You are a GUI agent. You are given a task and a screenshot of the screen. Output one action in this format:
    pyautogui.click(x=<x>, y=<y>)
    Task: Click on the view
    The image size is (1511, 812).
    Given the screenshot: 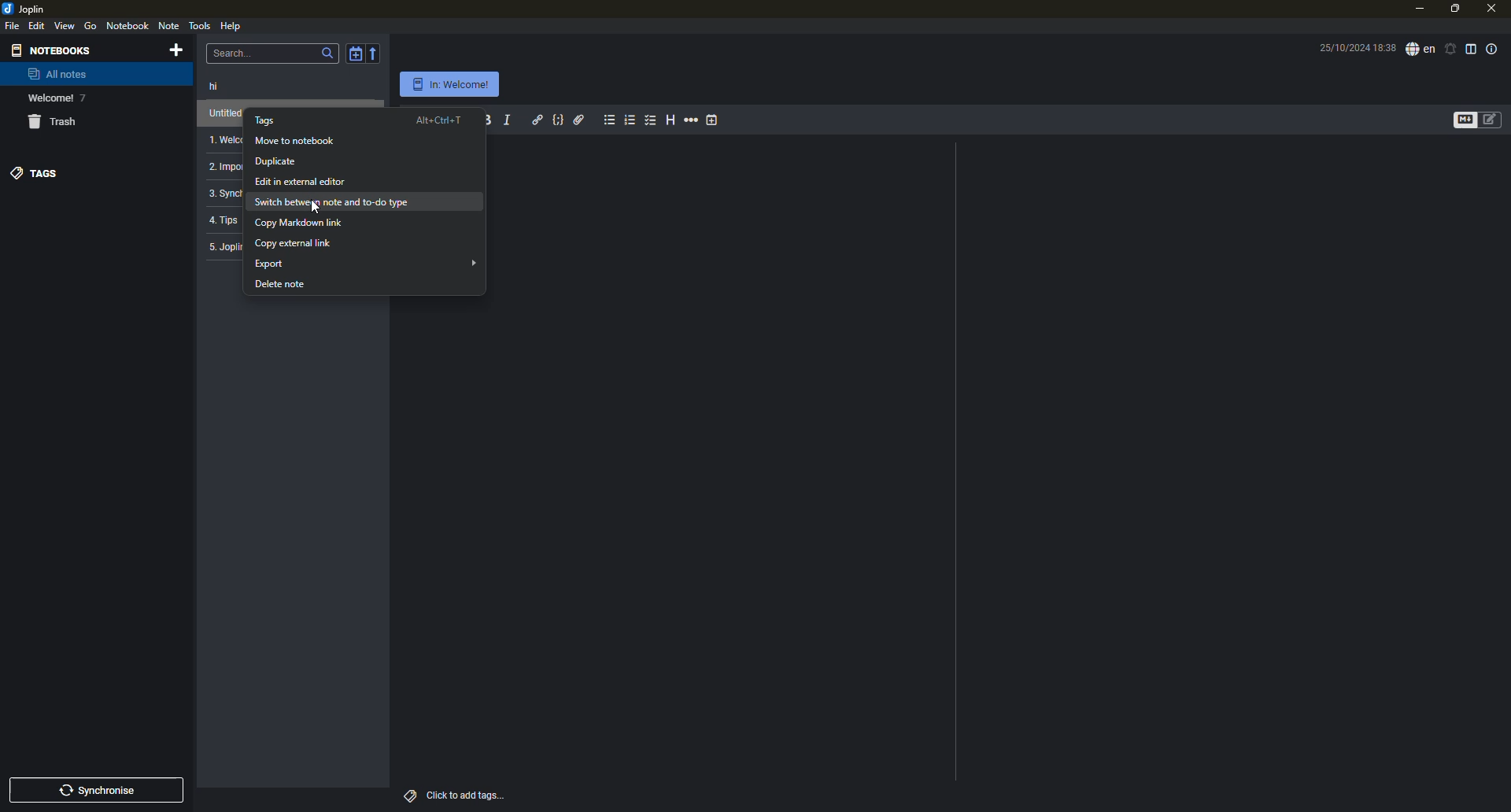 What is the action you would take?
    pyautogui.click(x=65, y=26)
    